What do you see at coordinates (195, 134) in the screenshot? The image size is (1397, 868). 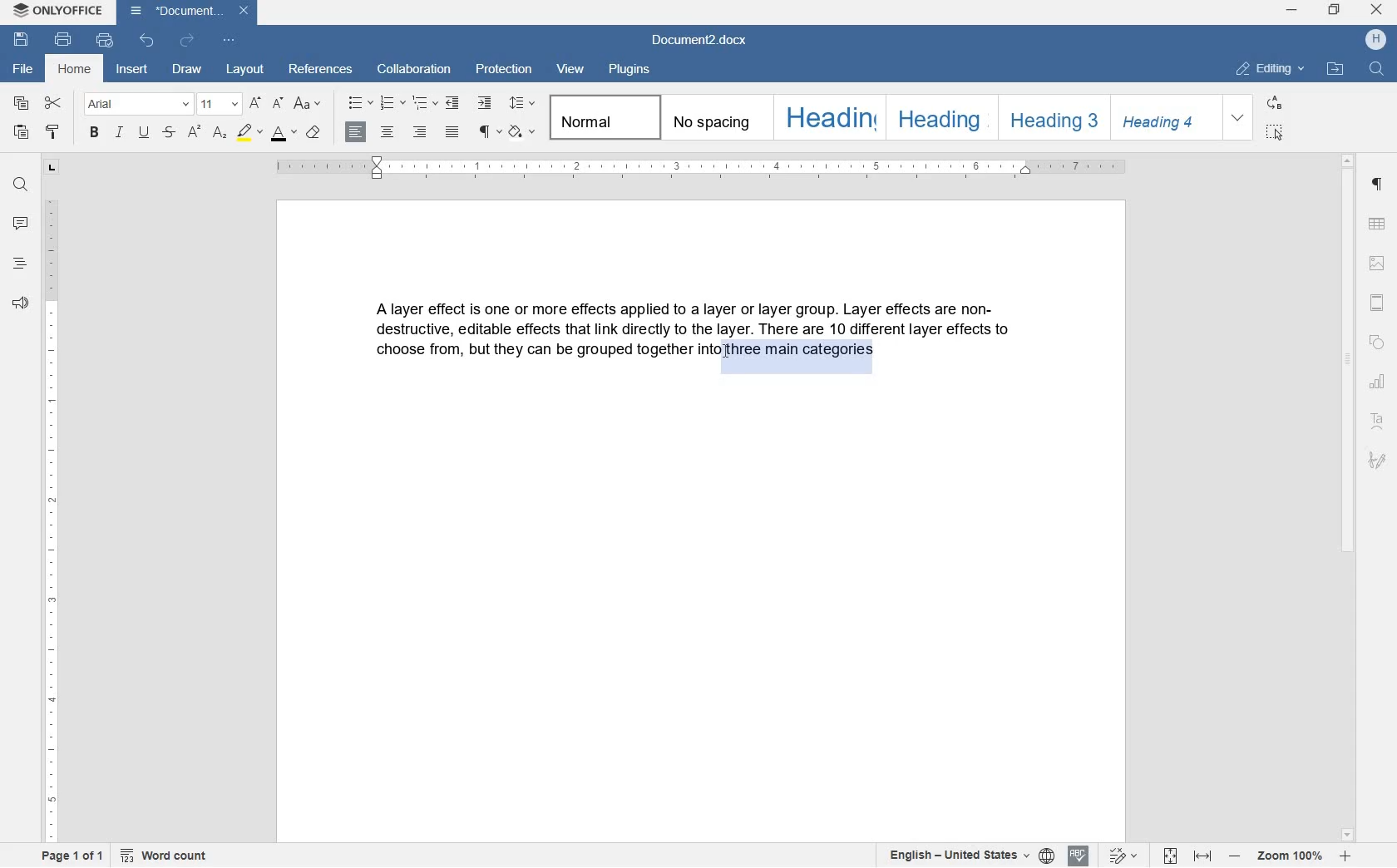 I see `superscript` at bounding box center [195, 134].